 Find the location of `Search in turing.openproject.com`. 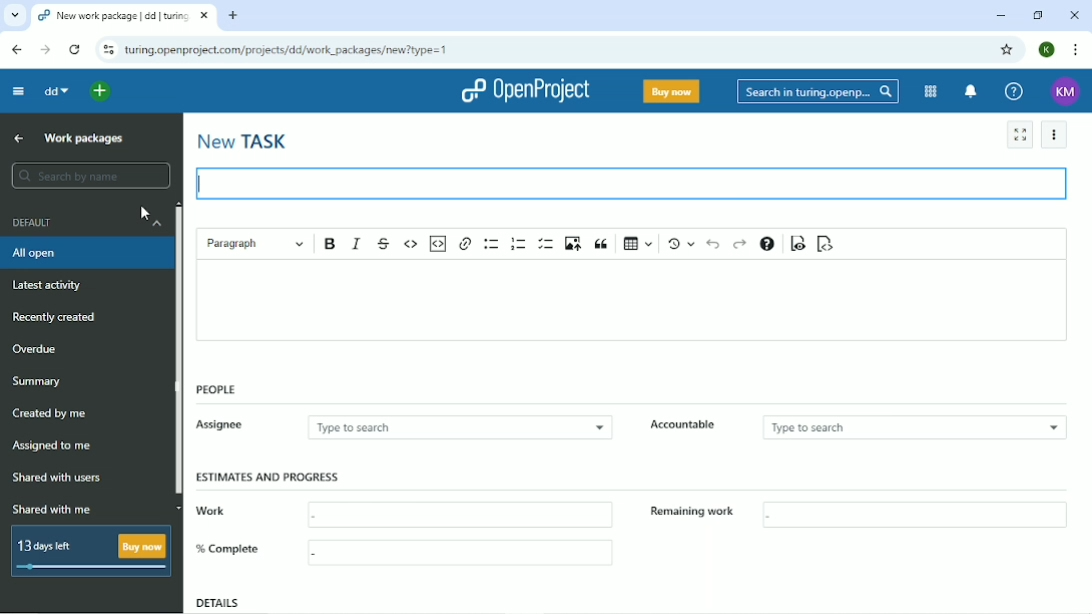

Search in turing.openproject.com is located at coordinates (818, 91).